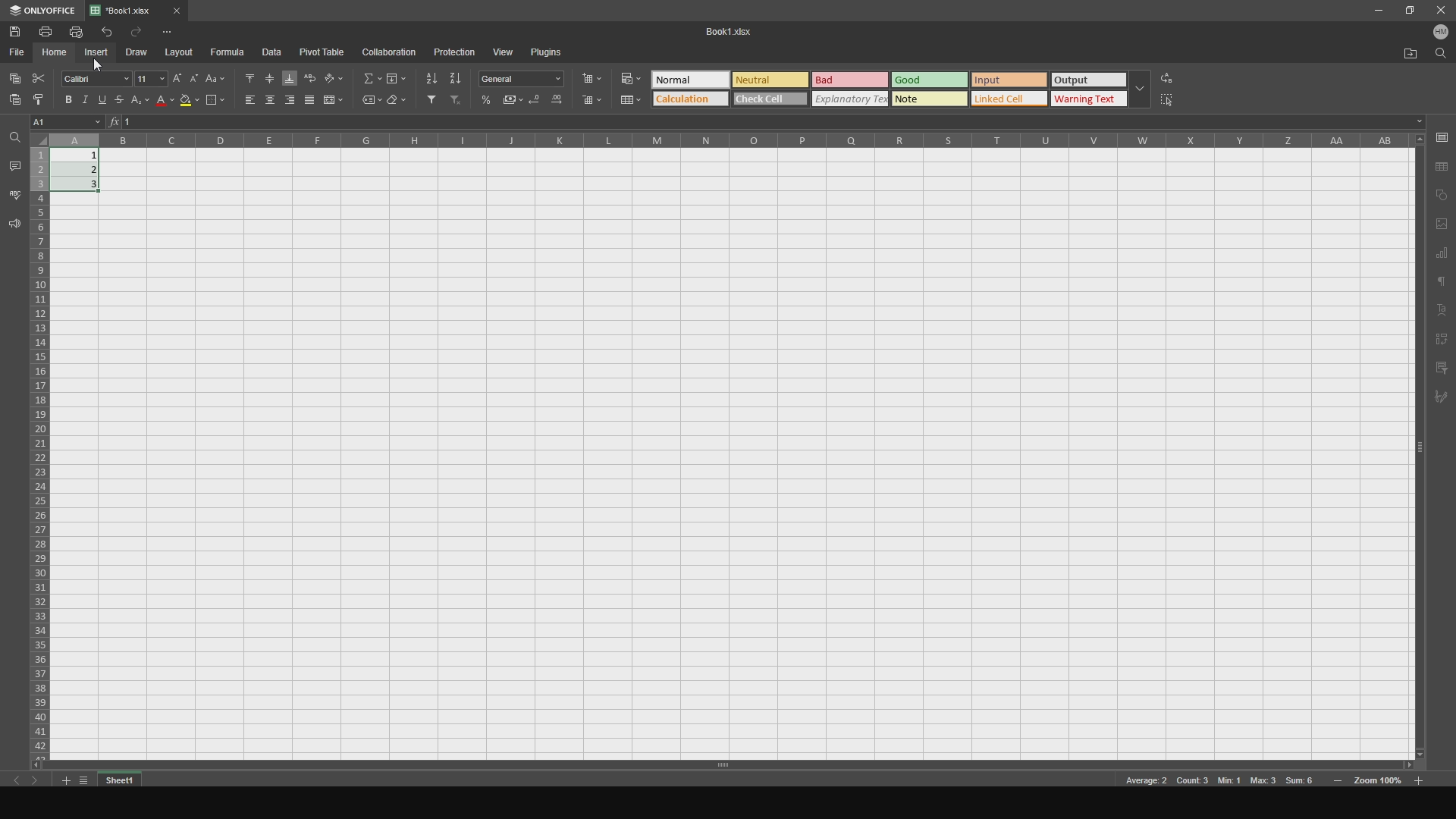  What do you see at coordinates (151, 77) in the screenshot?
I see `font size` at bounding box center [151, 77].